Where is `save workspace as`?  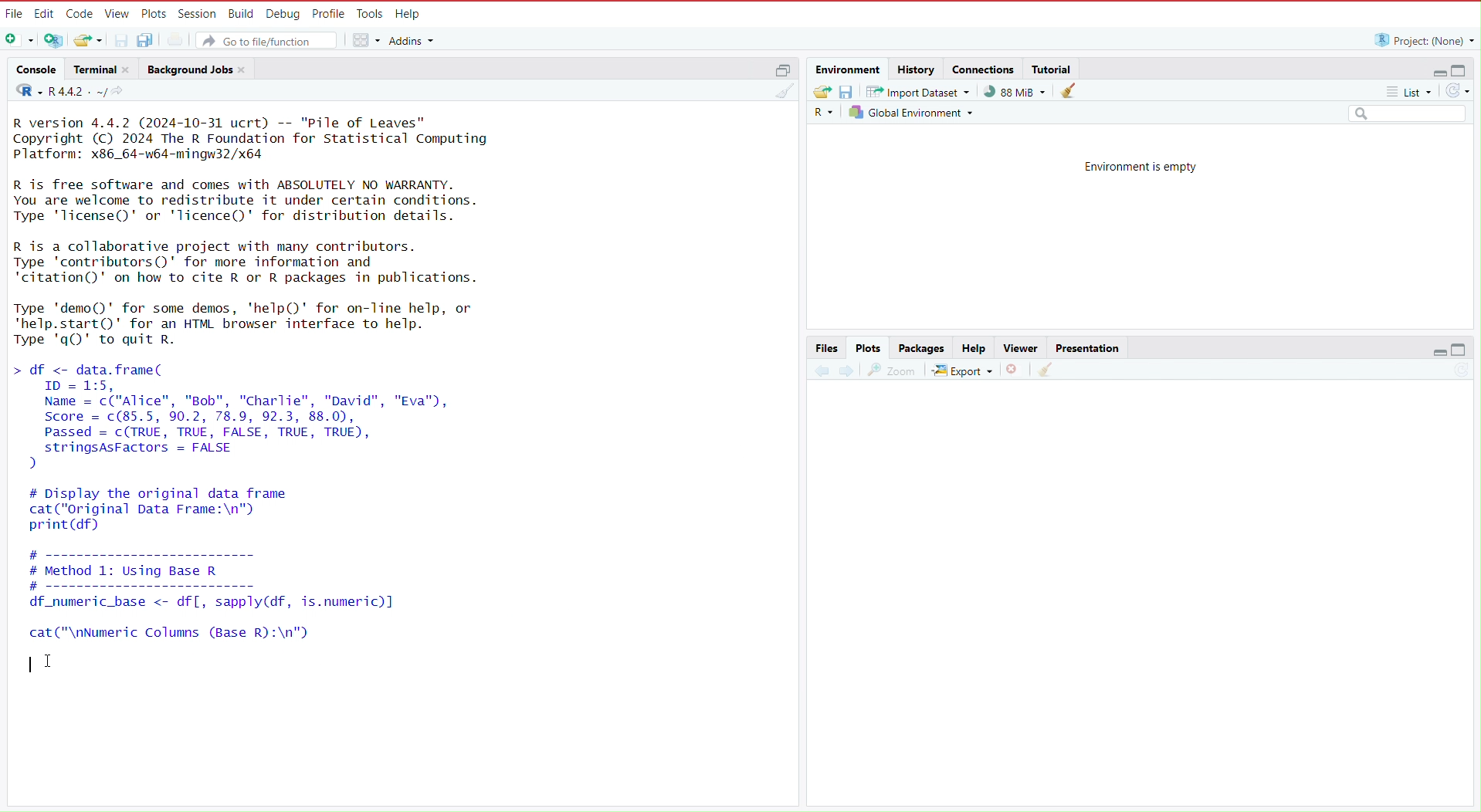 save workspace as is located at coordinates (849, 93).